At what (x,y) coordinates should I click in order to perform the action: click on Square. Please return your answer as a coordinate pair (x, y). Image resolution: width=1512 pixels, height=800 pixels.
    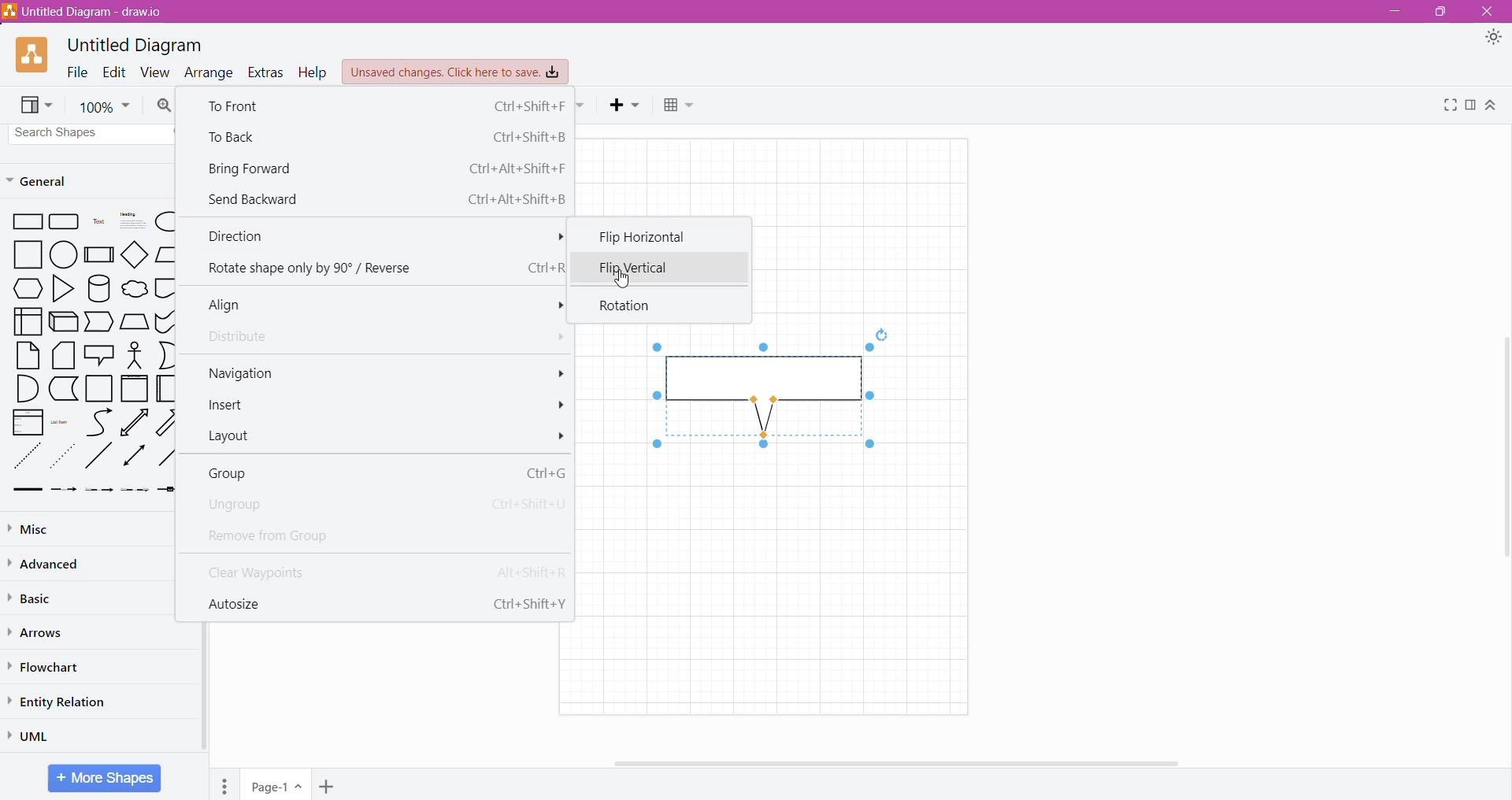
    Looking at the image, I should click on (22, 255).